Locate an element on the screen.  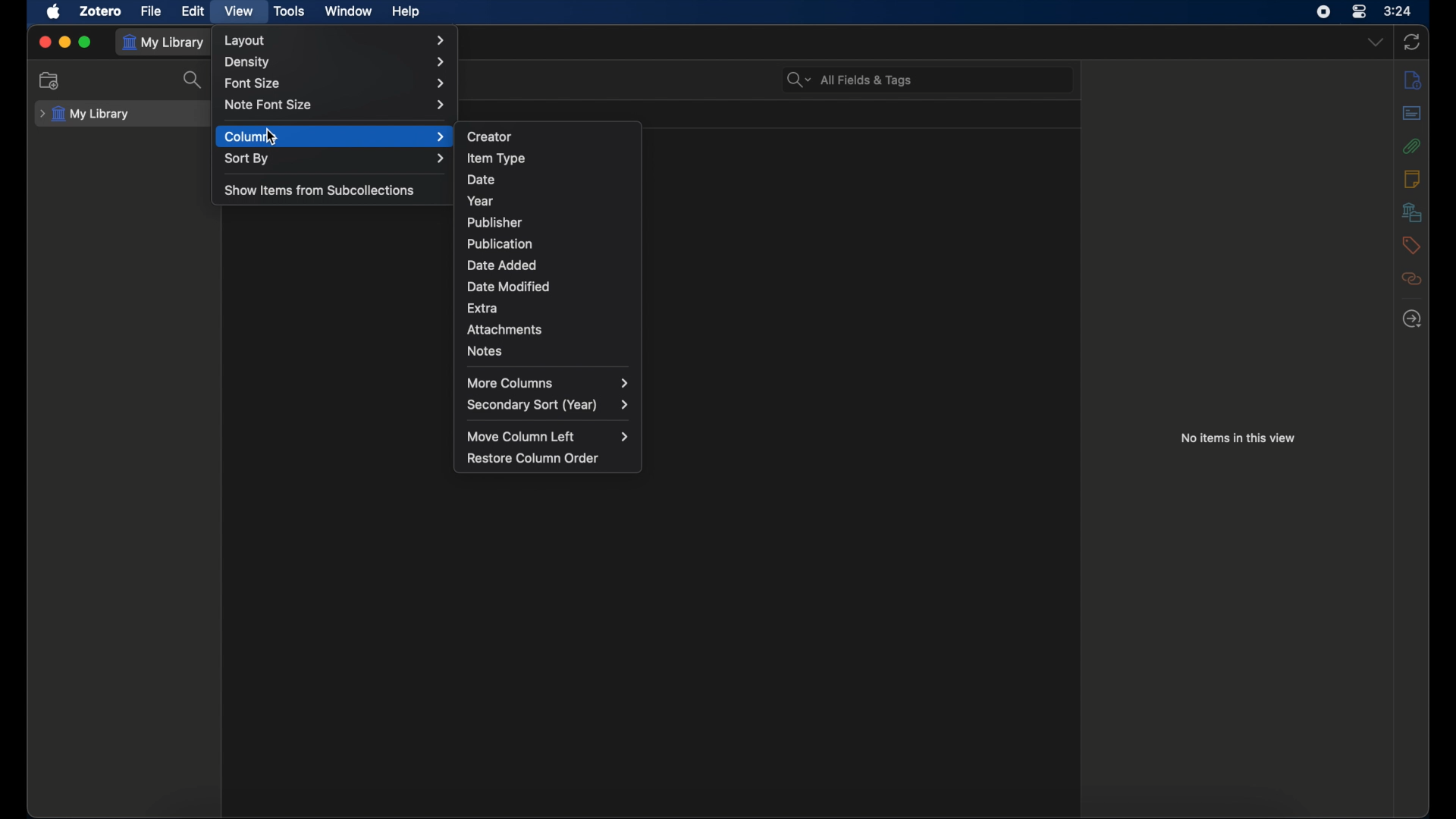
attachments is located at coordinates (505, 330).